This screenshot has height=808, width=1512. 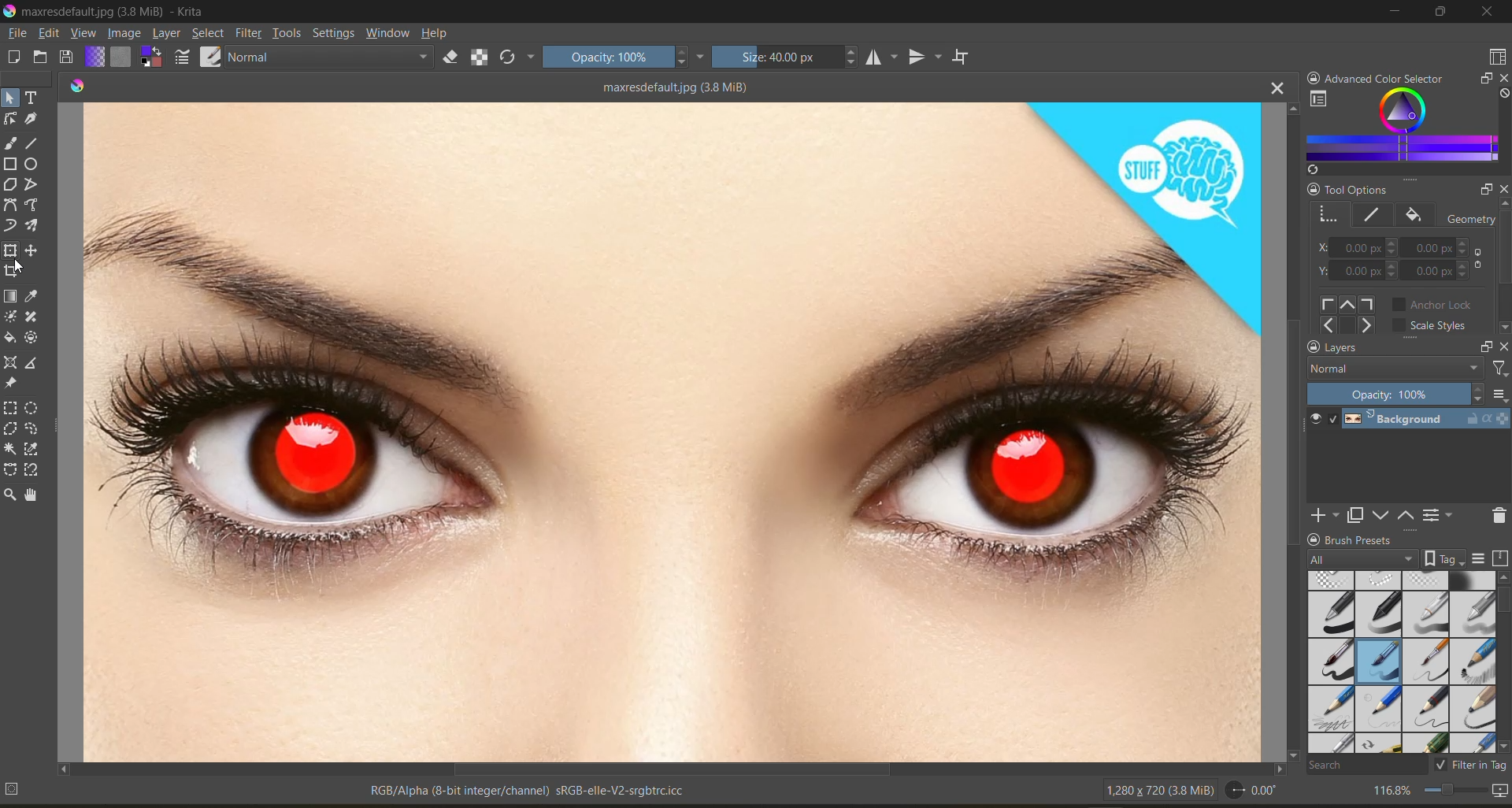 What do you see at coordinates (33, 297) in the screenshot?
I see `tool` at bounding box center [33, 297].